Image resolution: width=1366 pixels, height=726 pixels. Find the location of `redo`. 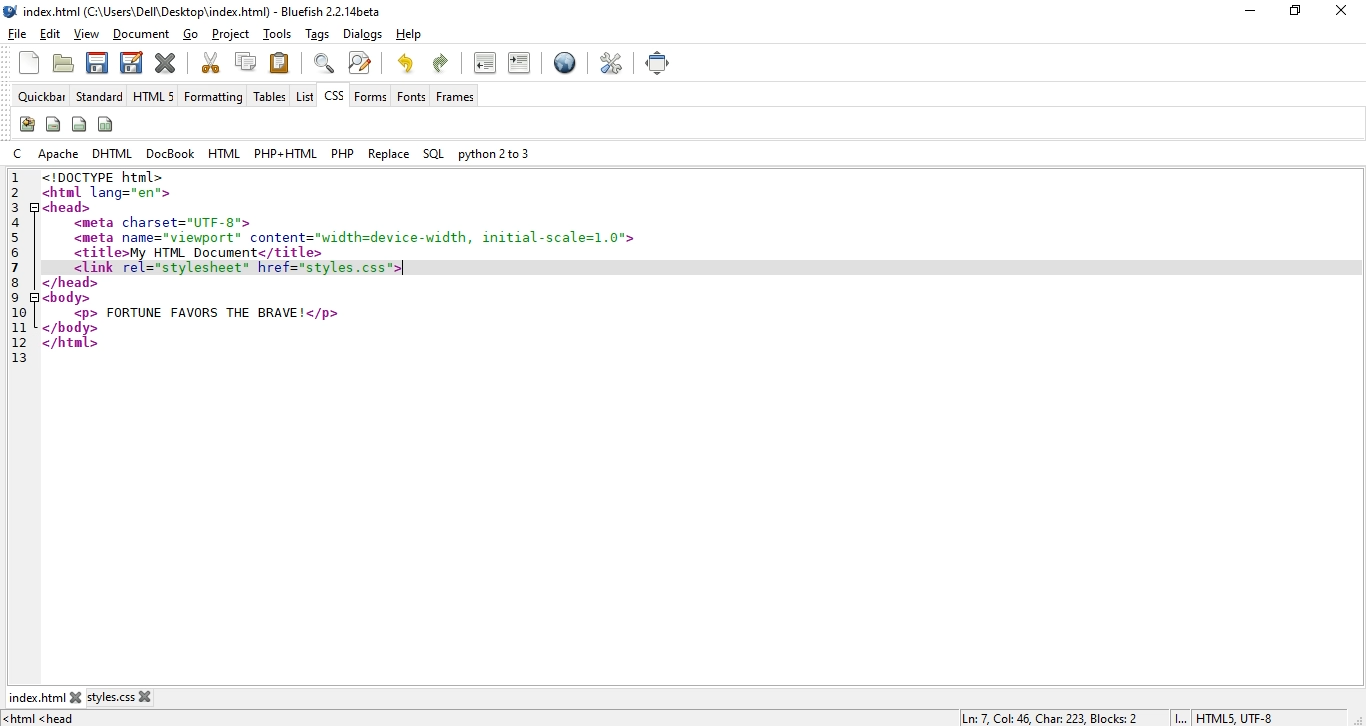

redo is located at coordinates (444, 61).